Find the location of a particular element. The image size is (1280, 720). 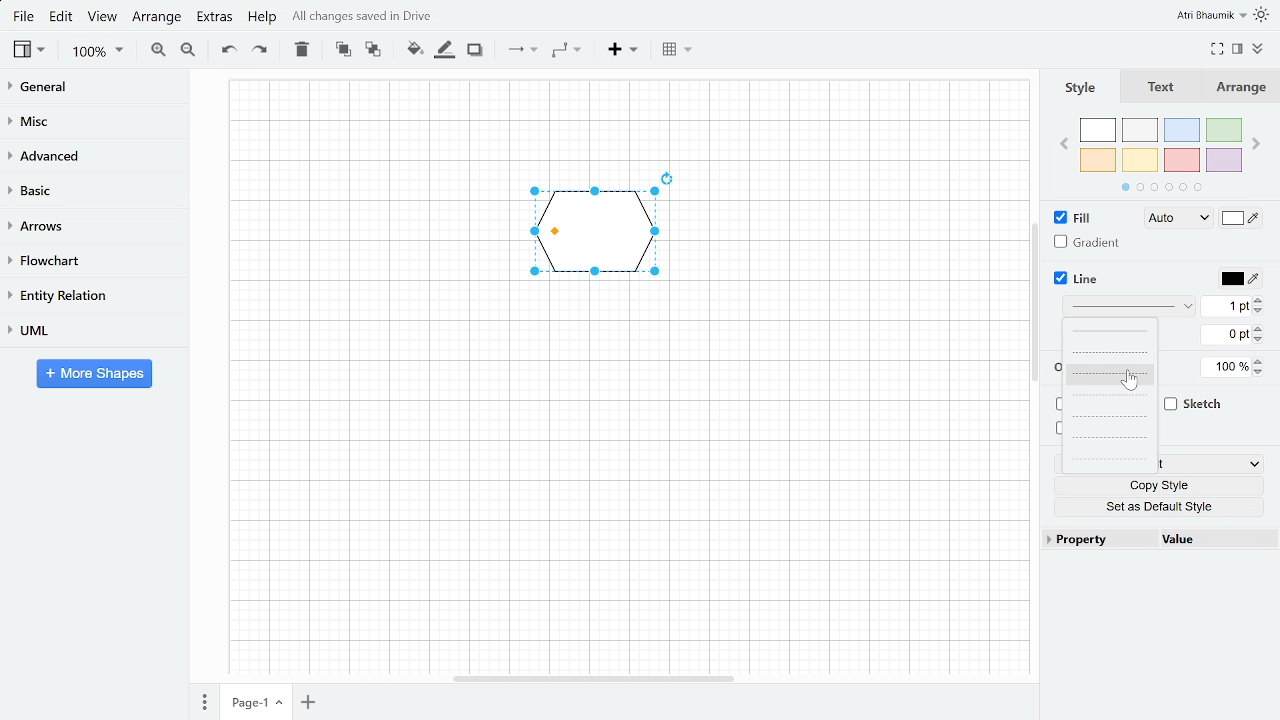

FIll is located at coordinates (1073, 216).